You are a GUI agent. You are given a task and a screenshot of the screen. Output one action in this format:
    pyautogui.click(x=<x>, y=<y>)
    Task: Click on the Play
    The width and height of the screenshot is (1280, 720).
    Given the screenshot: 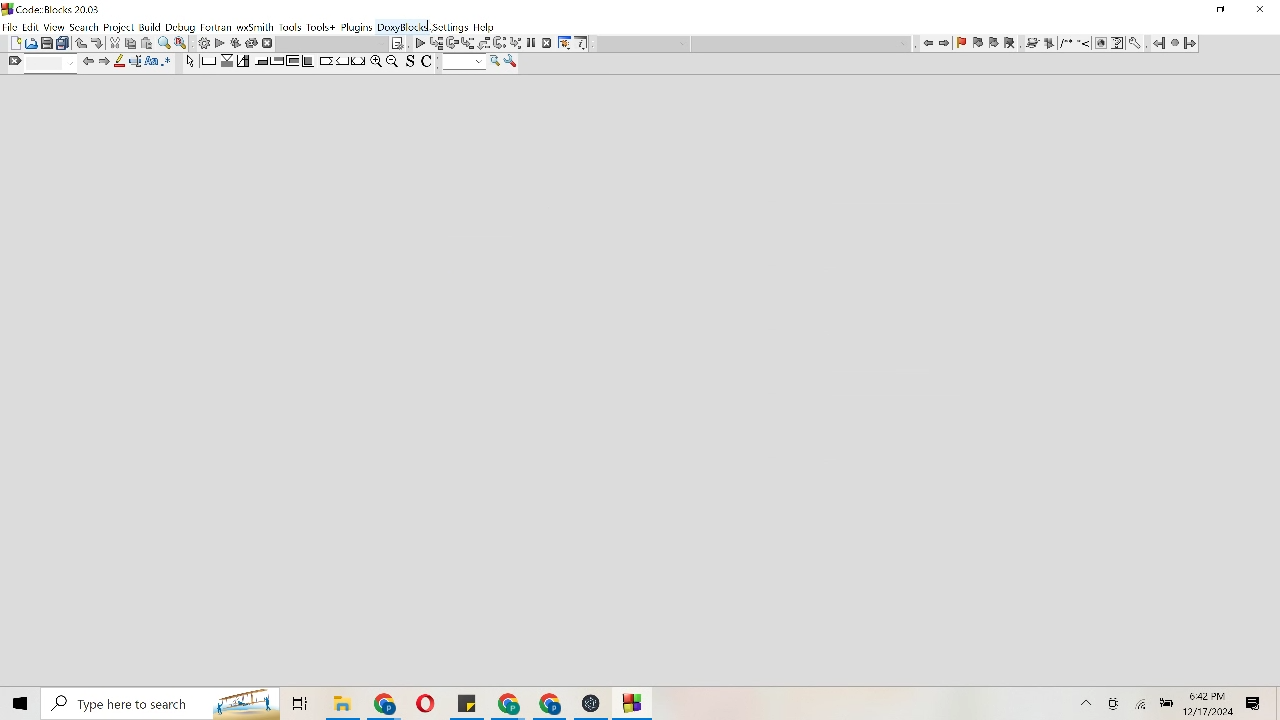 What is the action you would take?
    pyautogui.click(x=220, y=43)
    